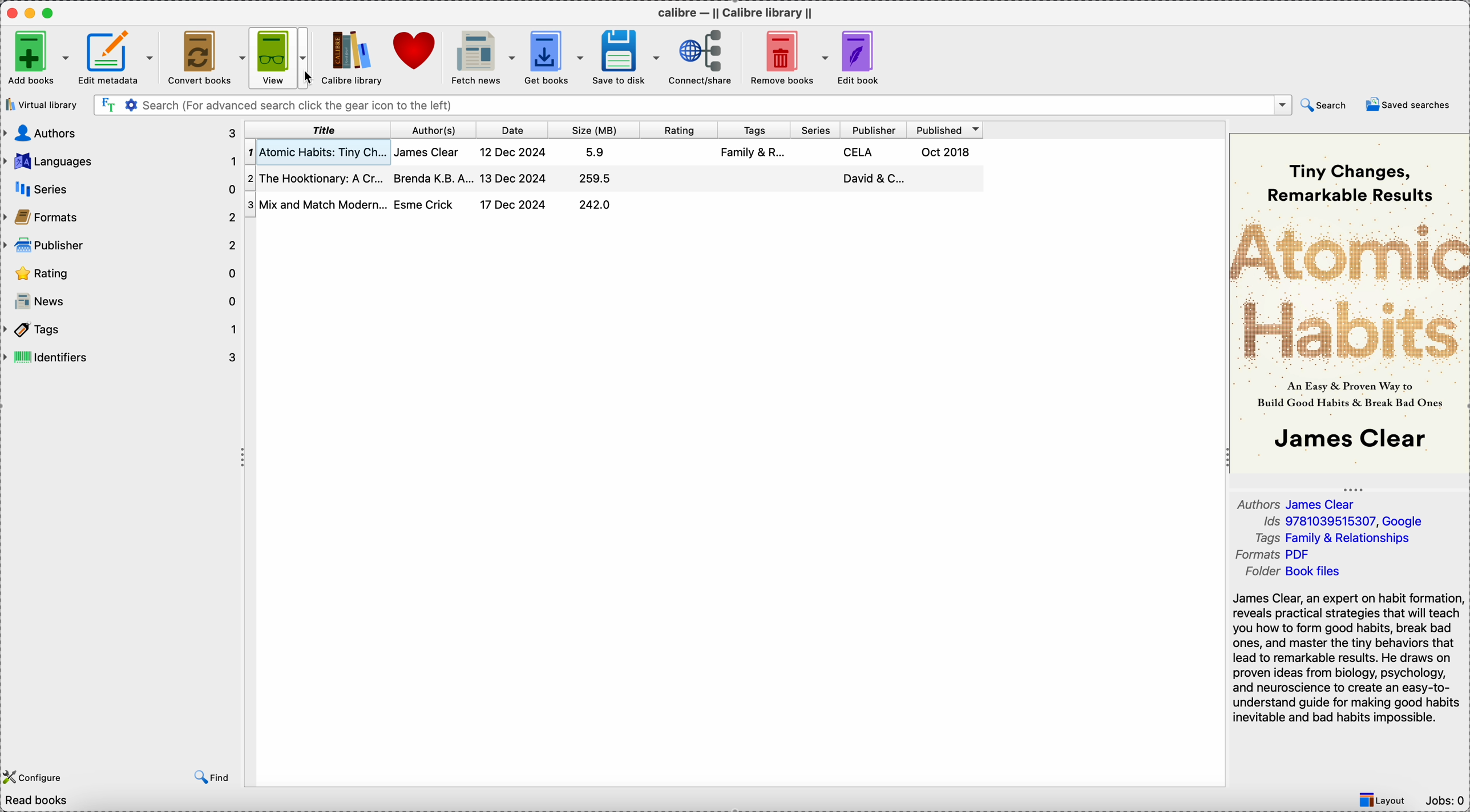 This screenshot has width=1470, height=812. Describe the element at coordinates (120, 159) in the screenshot. I see `languages` at that location.